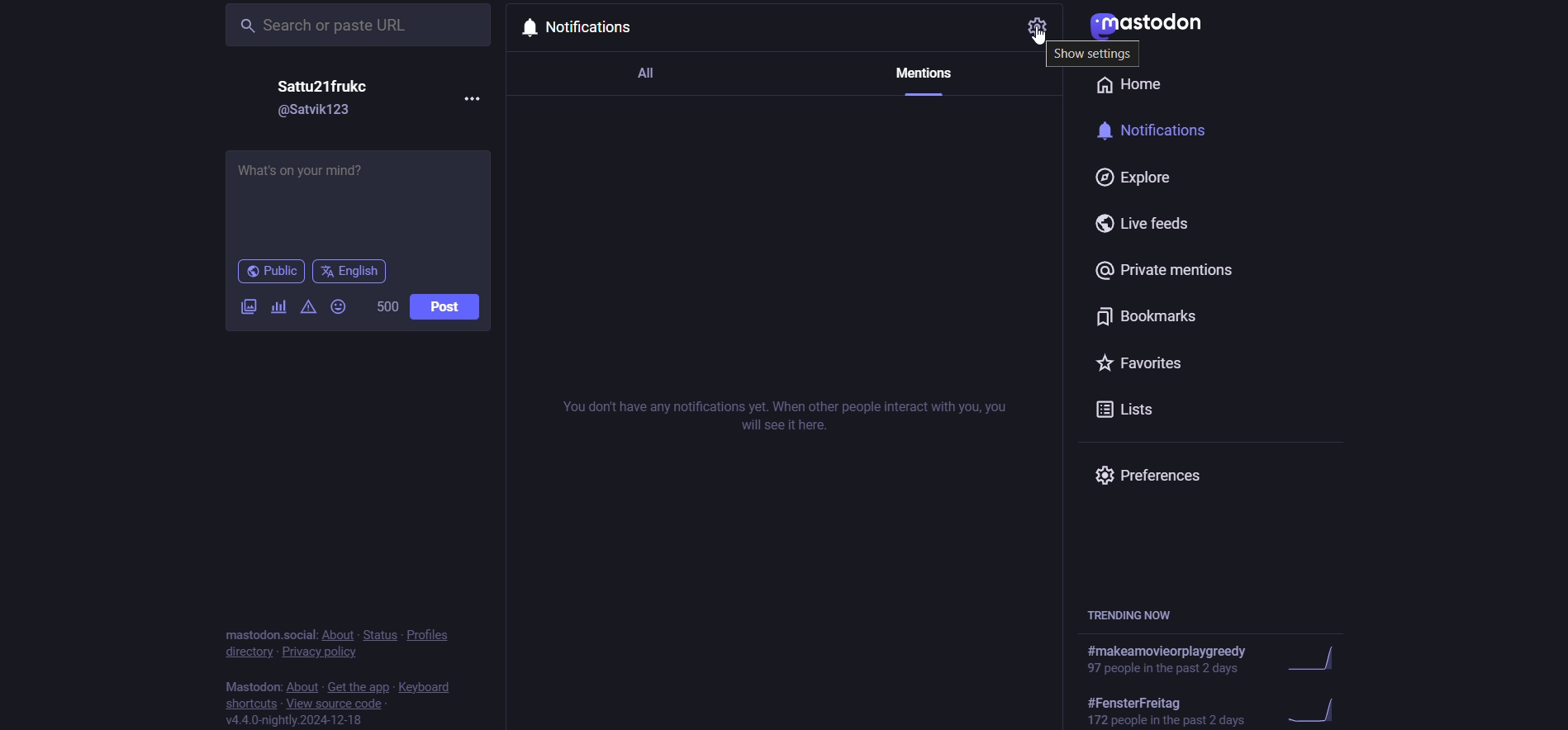 This screenshot has width=1568, height=730. Describe the element at coordinates (1139, 701) in the screenshot. I see `#FensterFreitag` at that location.